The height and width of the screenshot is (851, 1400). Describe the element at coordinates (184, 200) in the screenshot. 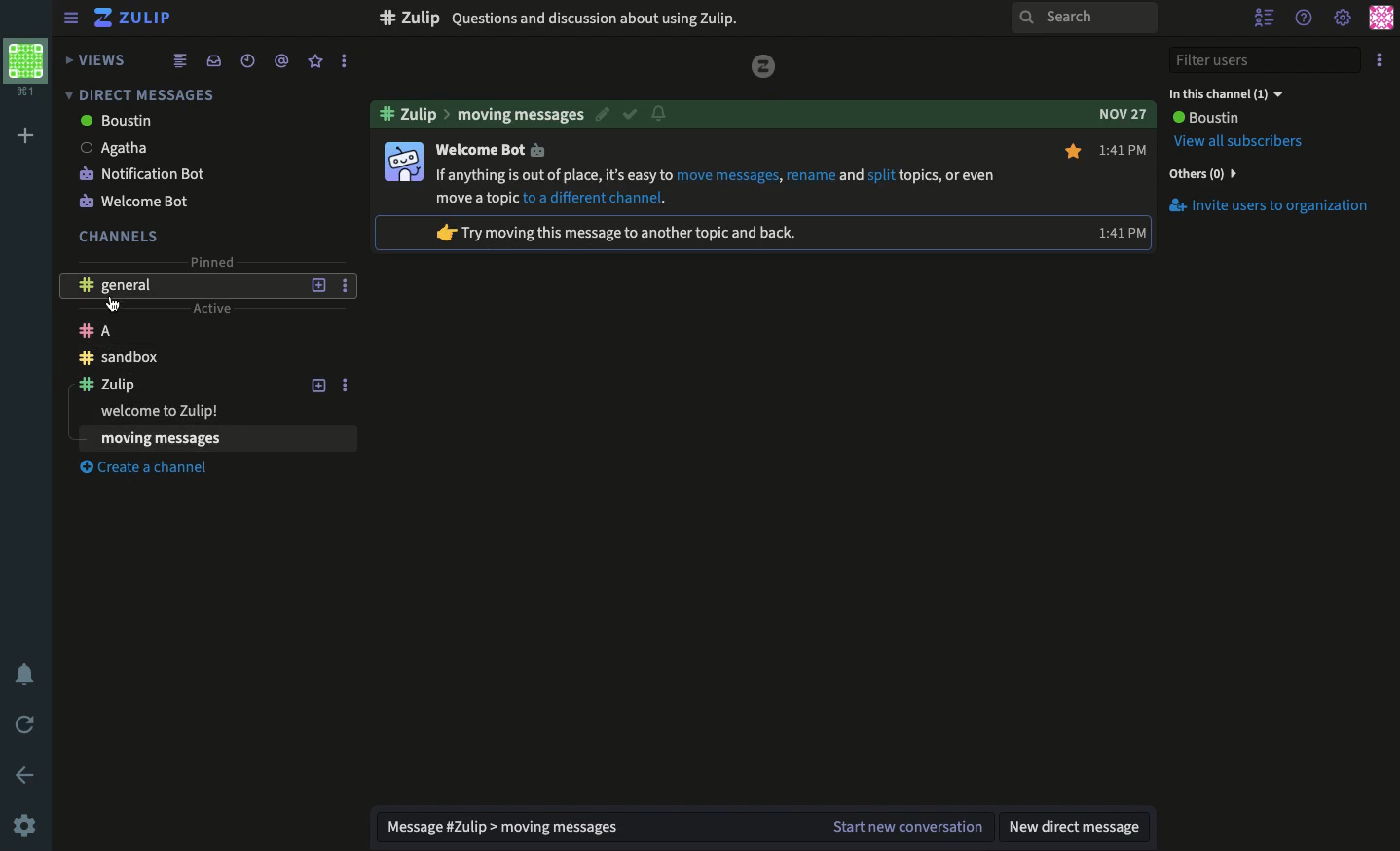

I see `Welcome bot` at that location.